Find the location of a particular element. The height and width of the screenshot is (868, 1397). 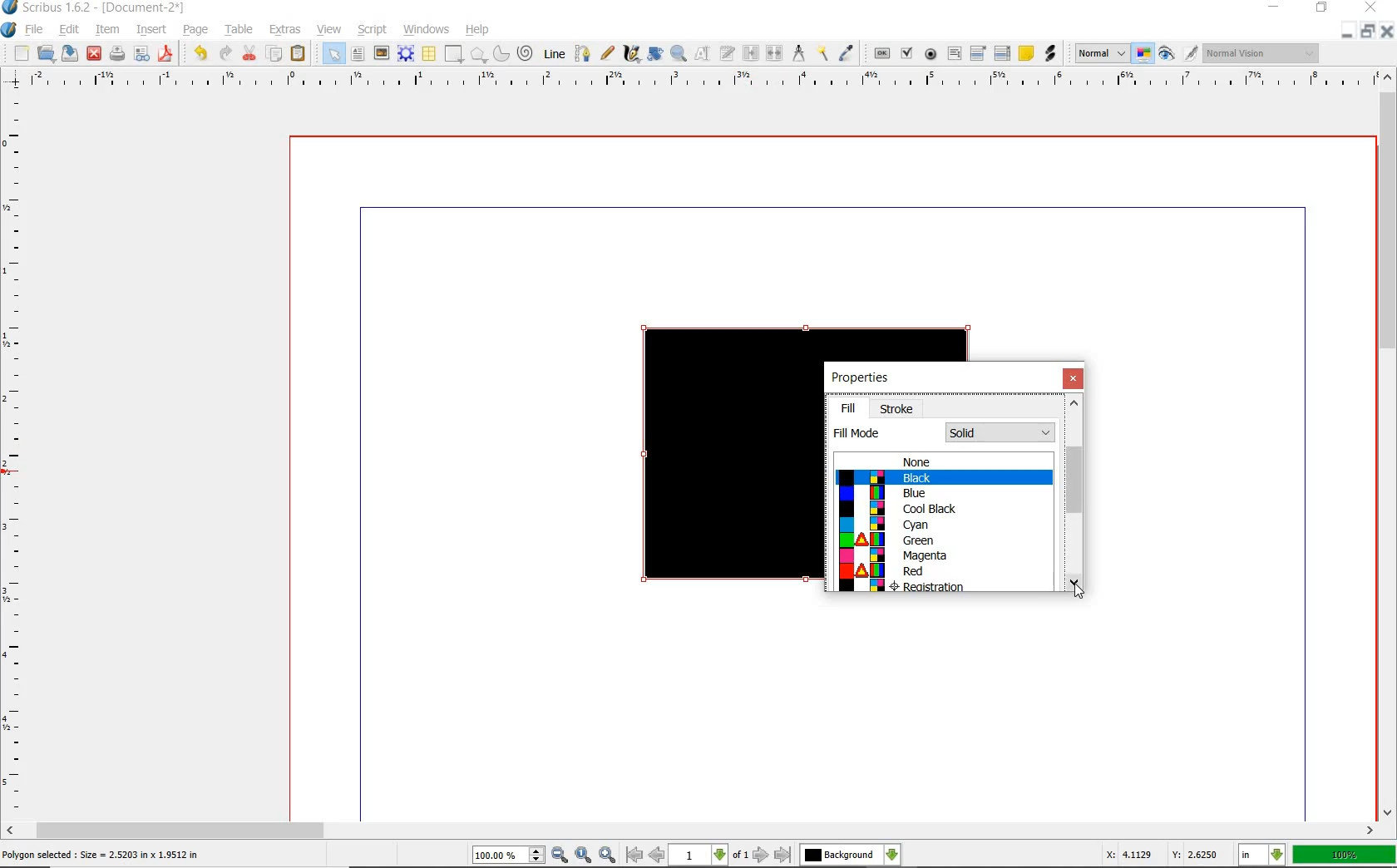

select the current unit is located at coordinates (1263, 856).